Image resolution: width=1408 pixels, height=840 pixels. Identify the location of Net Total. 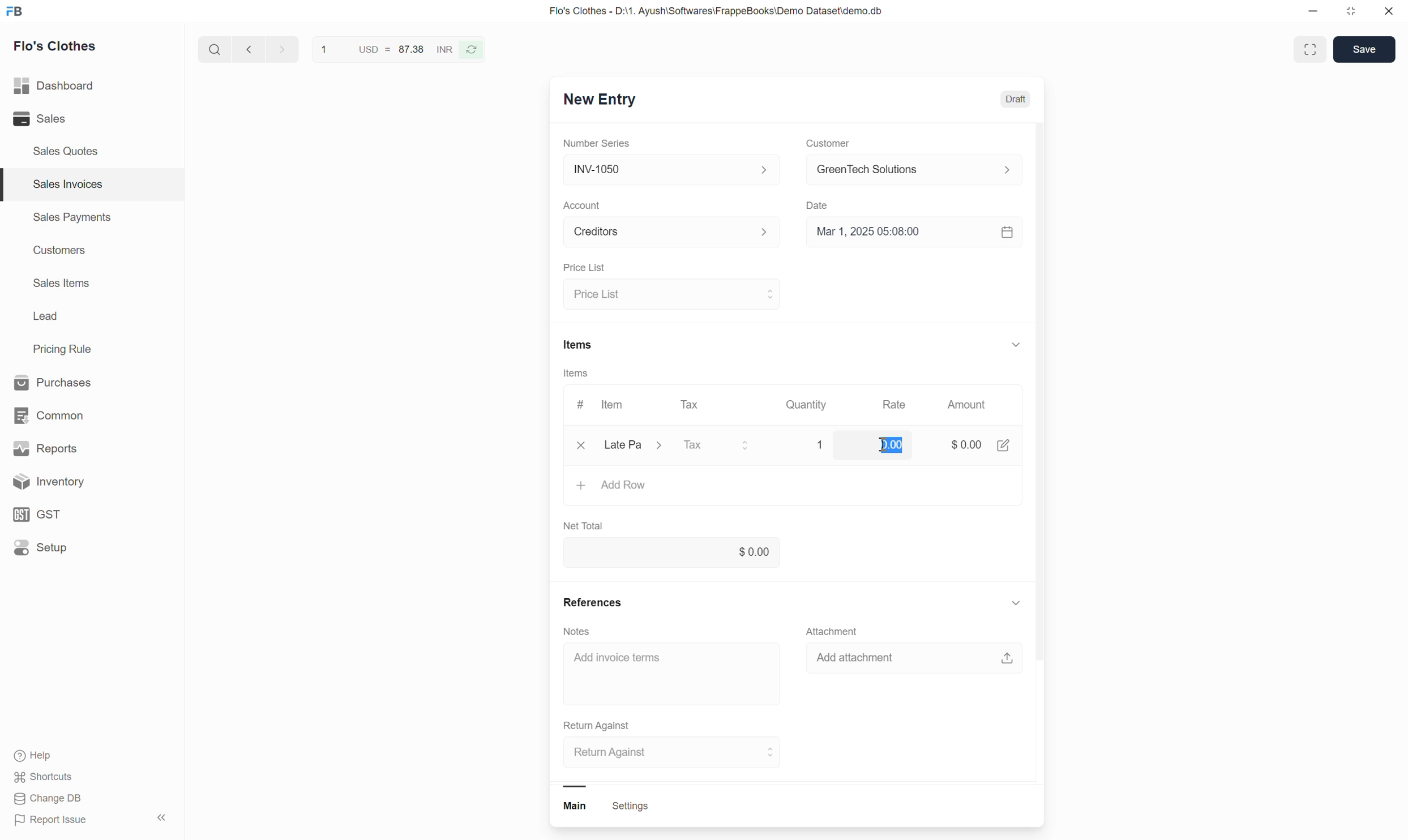
(588, 524).